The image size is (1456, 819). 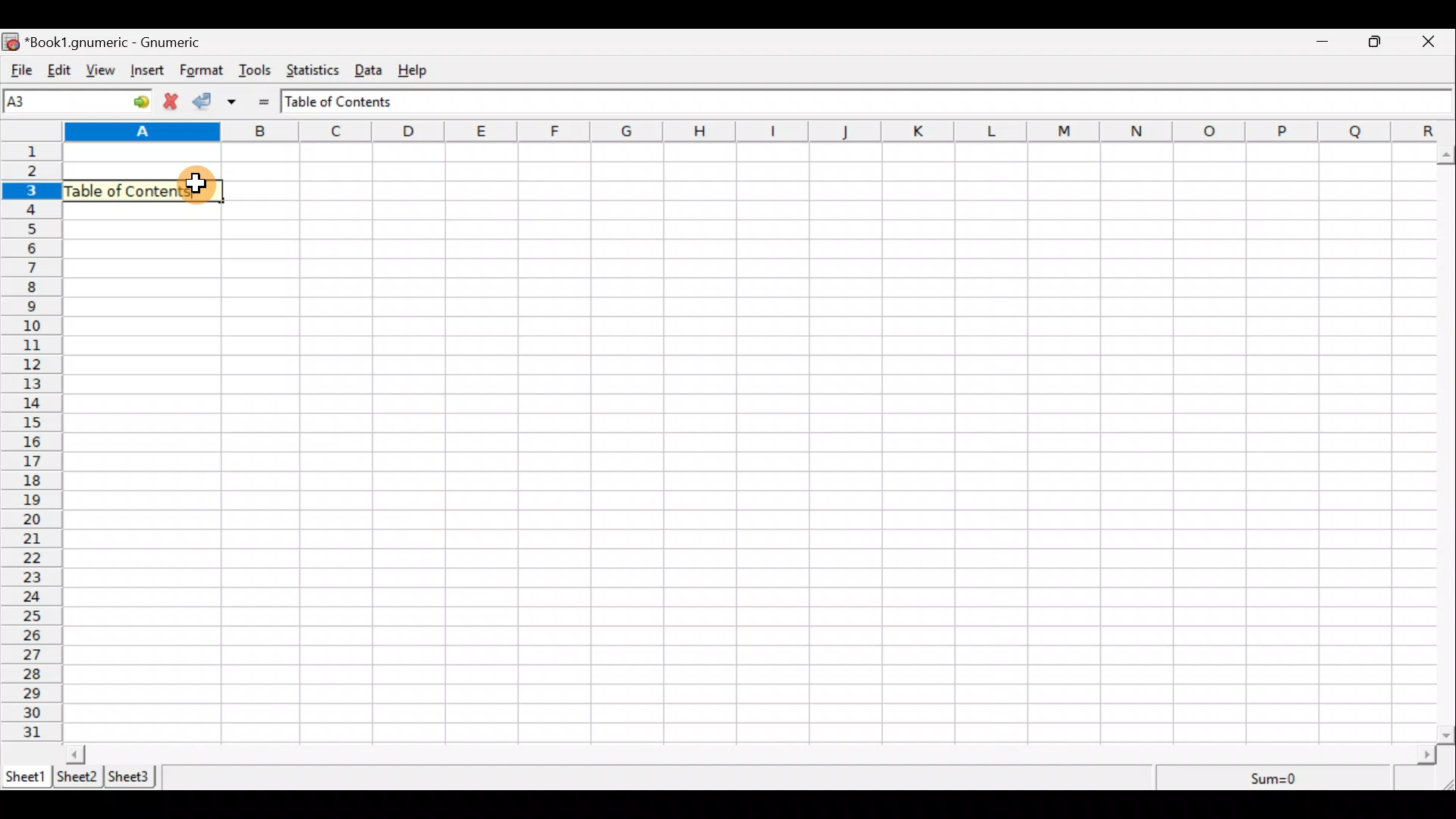 What do you see at coordinates (133, 777) in the screenshot?
I see `Sheet 3` at bounding box center [133, 777].